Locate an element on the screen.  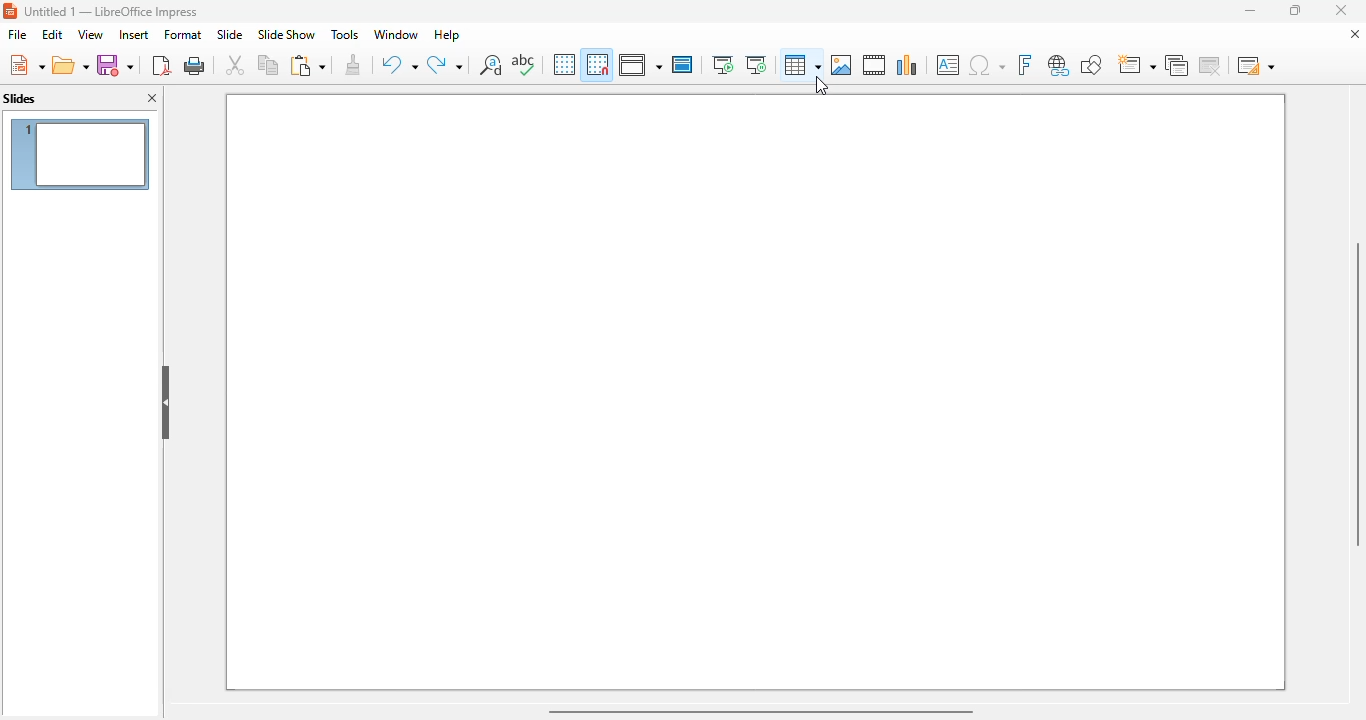
table is located at coordinates (803, 65).